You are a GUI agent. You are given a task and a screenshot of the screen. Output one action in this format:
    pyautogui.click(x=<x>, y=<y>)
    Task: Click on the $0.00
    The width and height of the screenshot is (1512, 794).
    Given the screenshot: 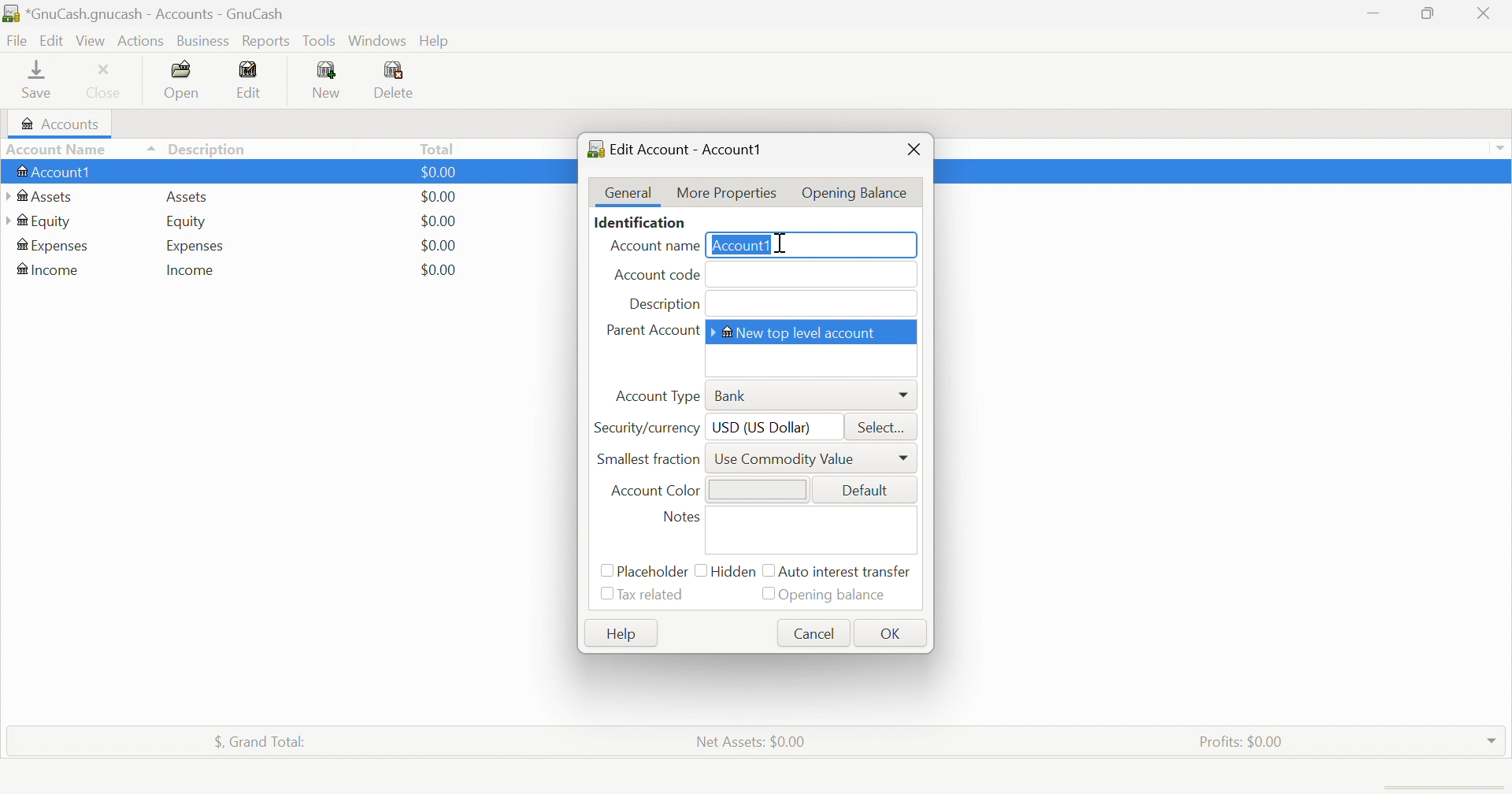 What is the action you would take?
    pyautogui.click(x=438, y=244)
    